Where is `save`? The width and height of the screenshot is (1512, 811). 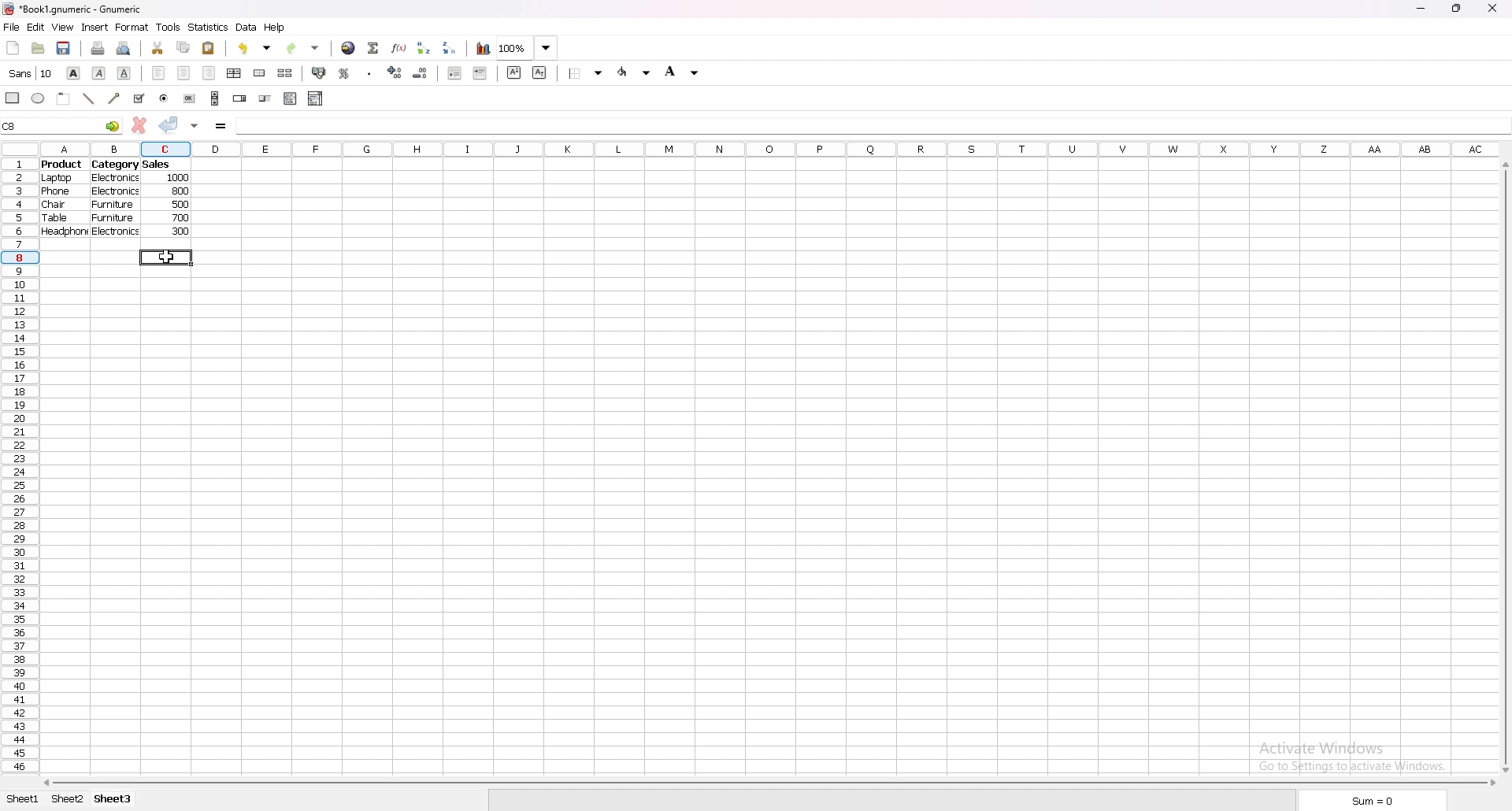 save is located at coordinates (64, 48).